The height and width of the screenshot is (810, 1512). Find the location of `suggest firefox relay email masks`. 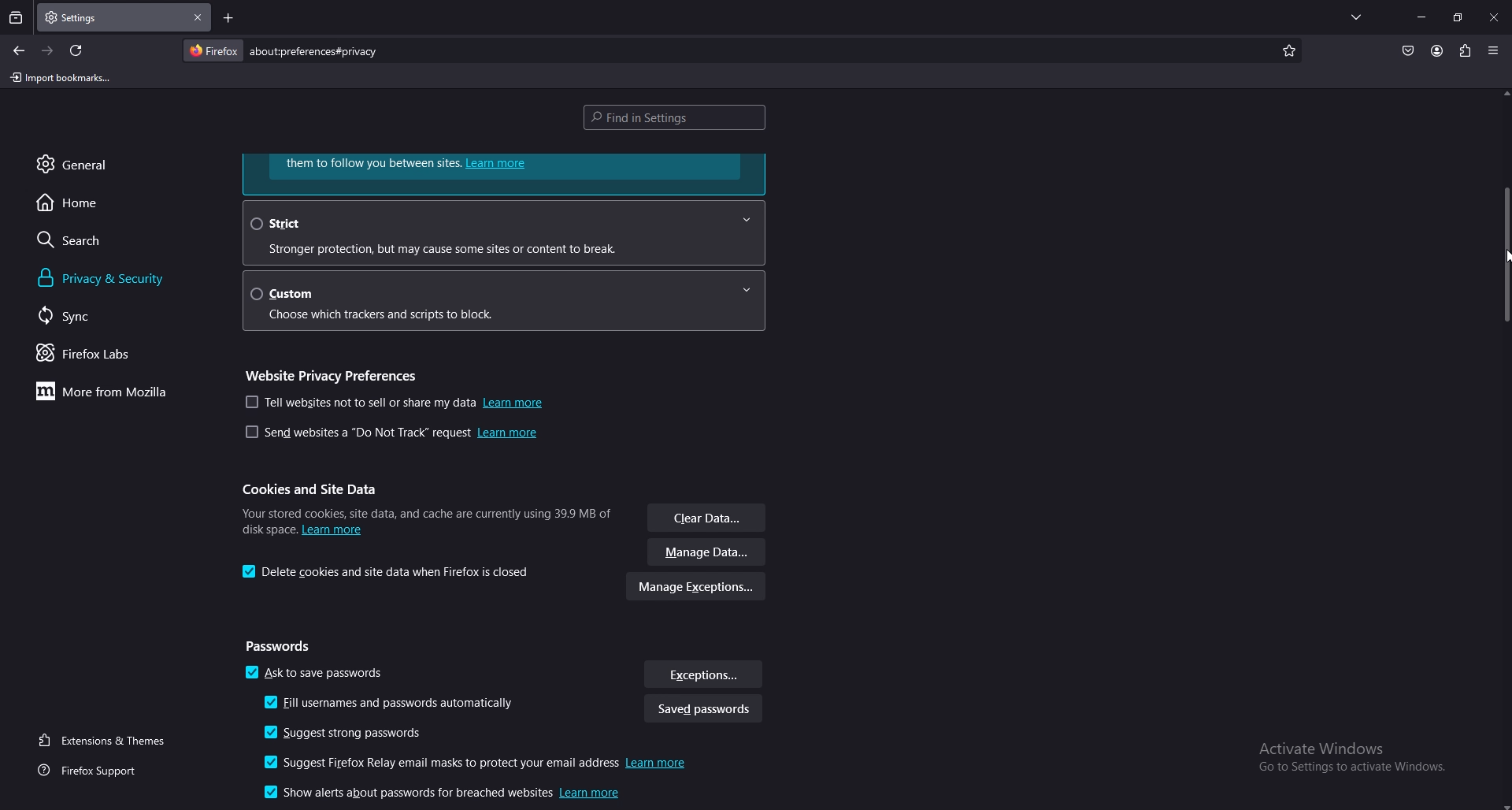

suggest firefox relay email masks is located at coordinates (480, 764).